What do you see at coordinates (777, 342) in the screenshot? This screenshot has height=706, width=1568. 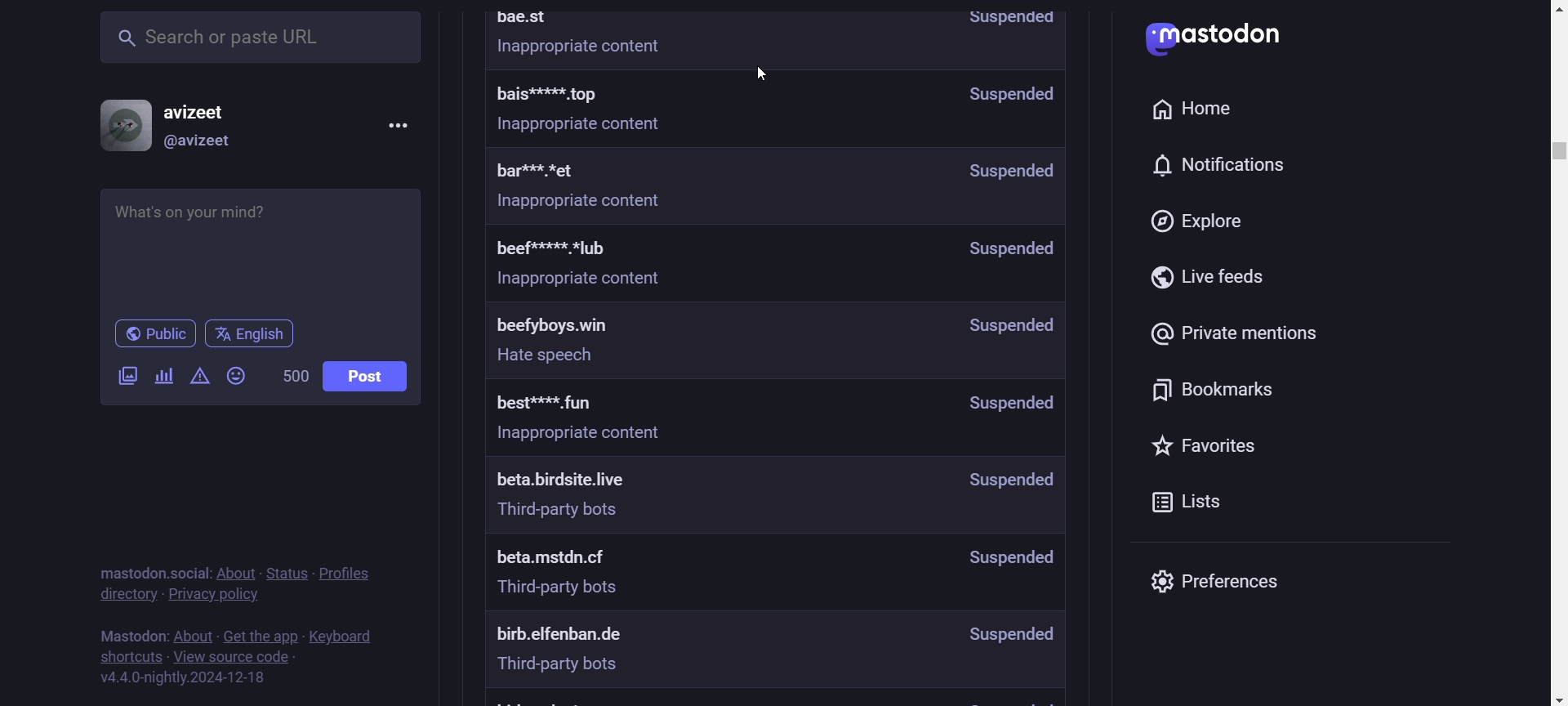 I see `moderated server's information` at bounding box center [777, 342].